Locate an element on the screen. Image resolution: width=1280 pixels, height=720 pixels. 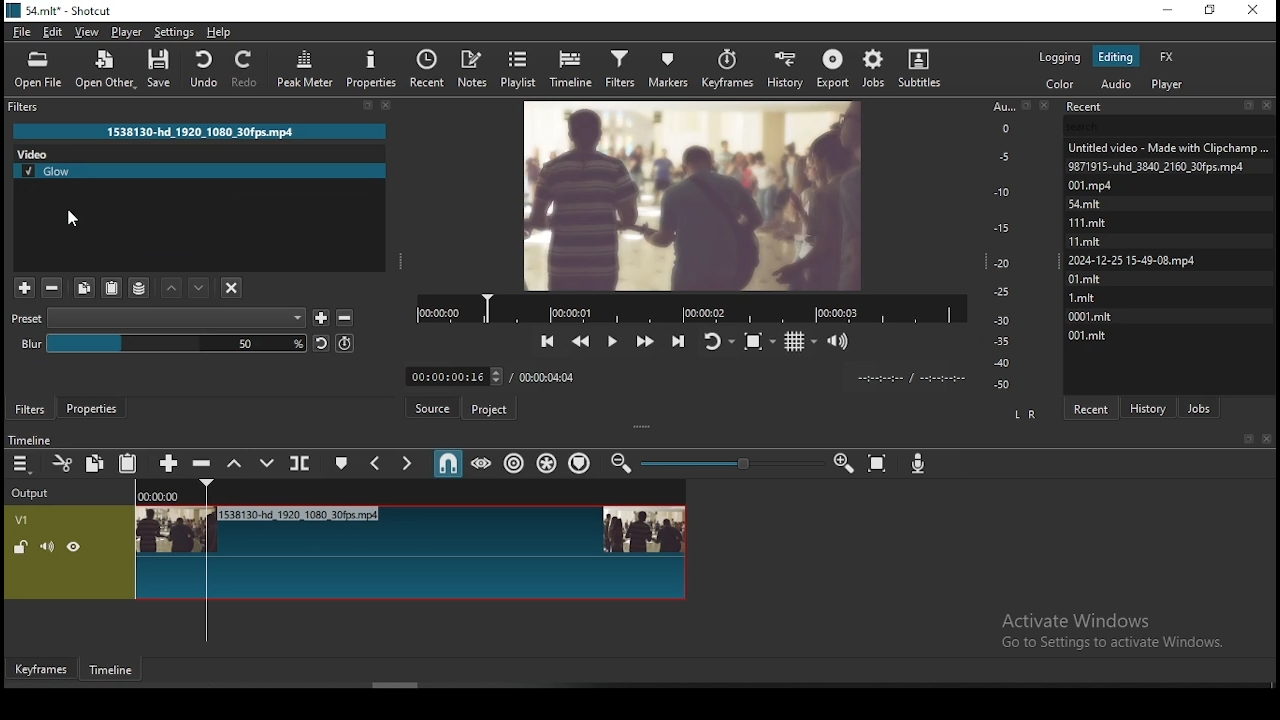
elapsed time is located at coordinates (451, 372).